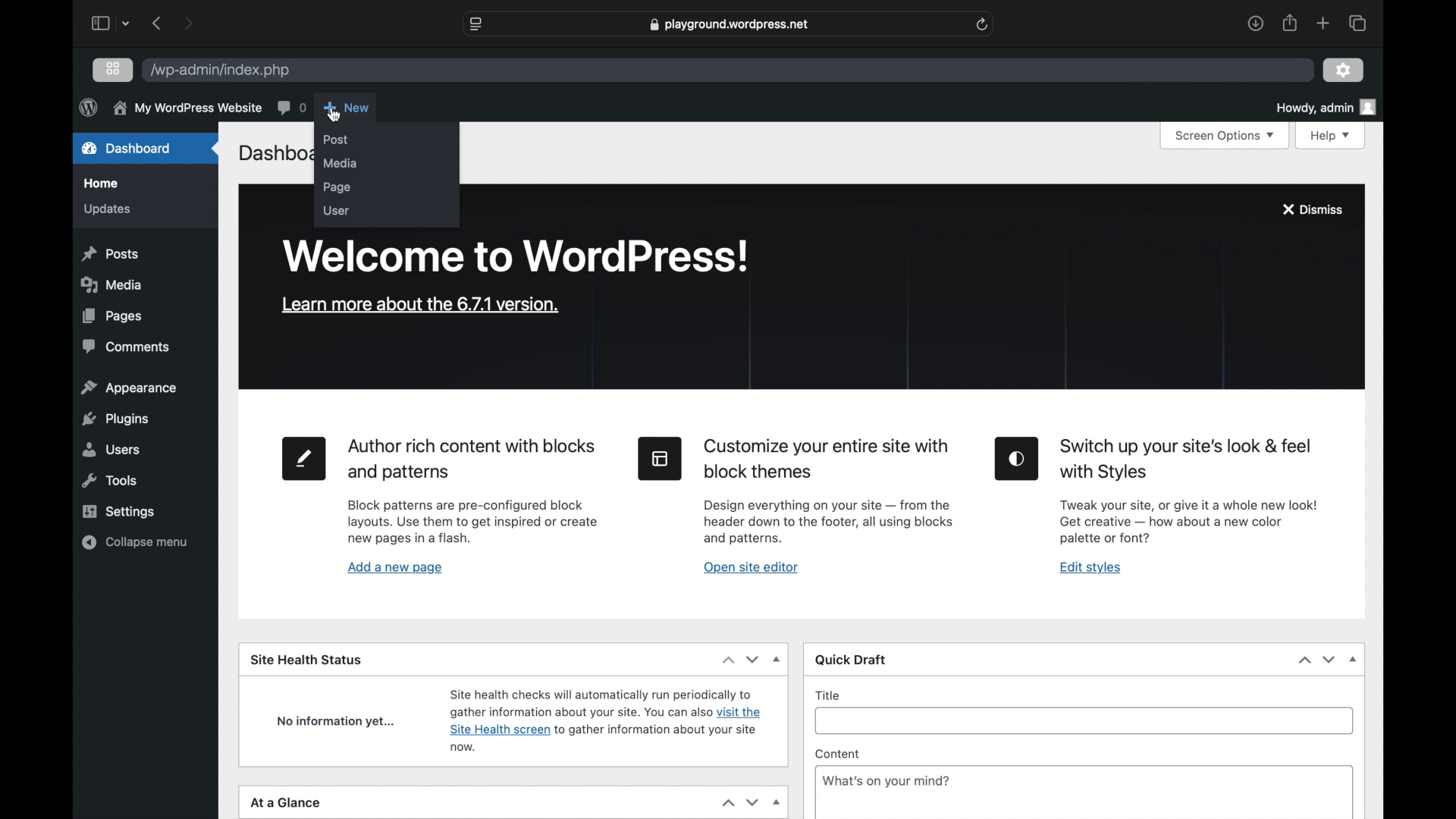  I want to click on tab groupnpiccker, so click(126, 24).